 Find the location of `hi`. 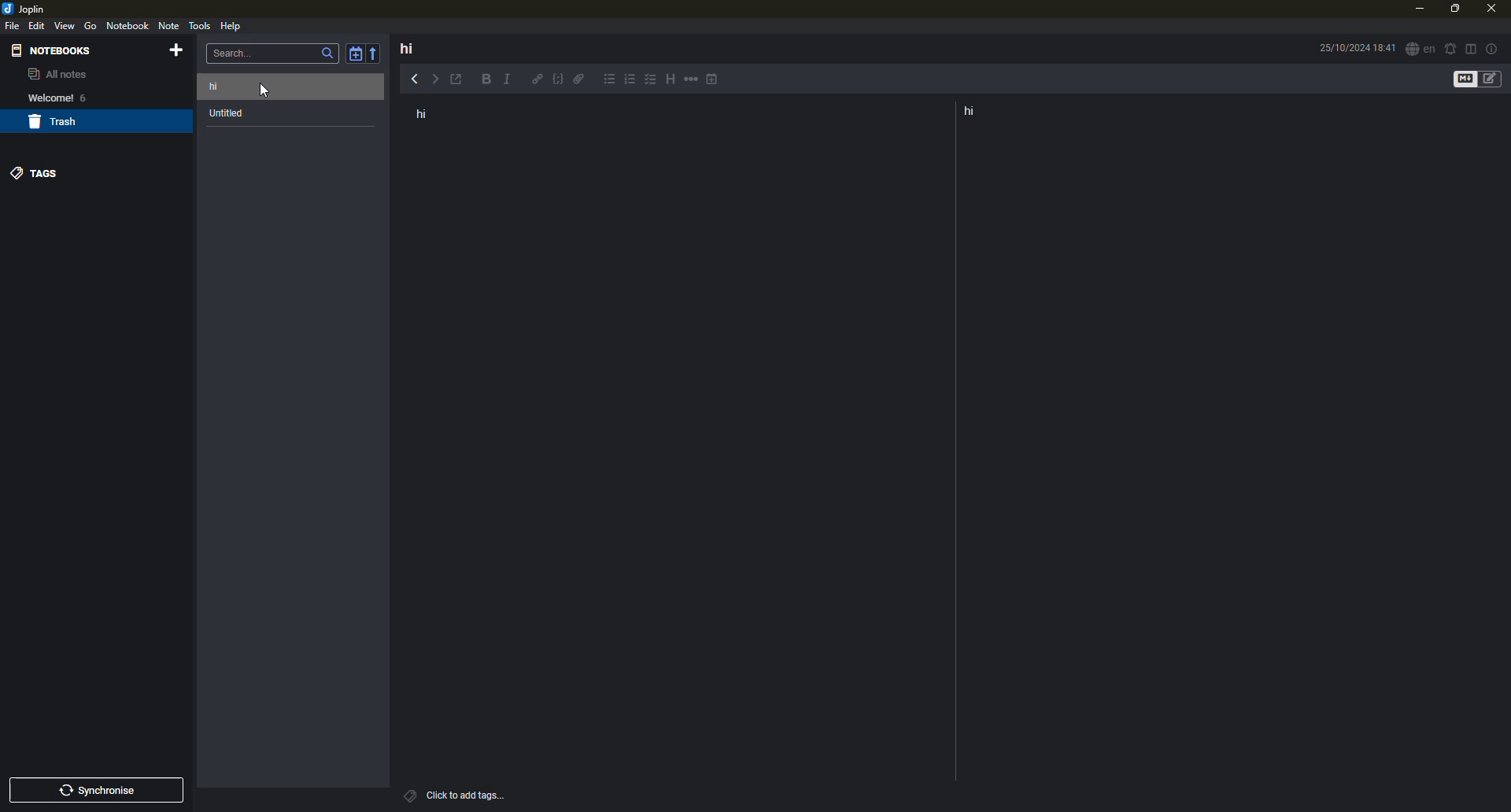

hi is located at coordinates (407, 48).